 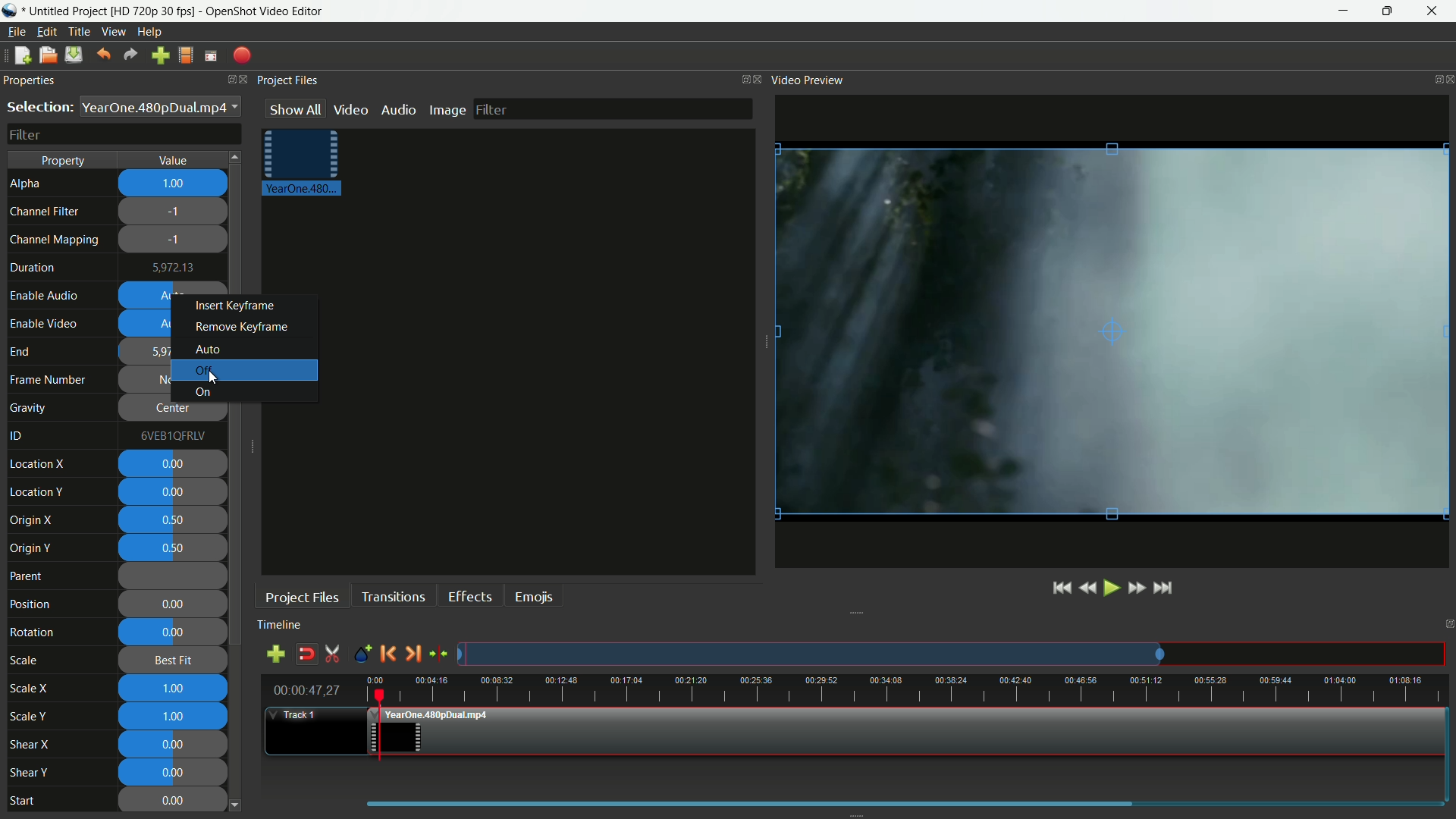 What do you see at coordinates (45, 33) in the screenshot?
I see `edit menu` at bounding box center [45, 33].